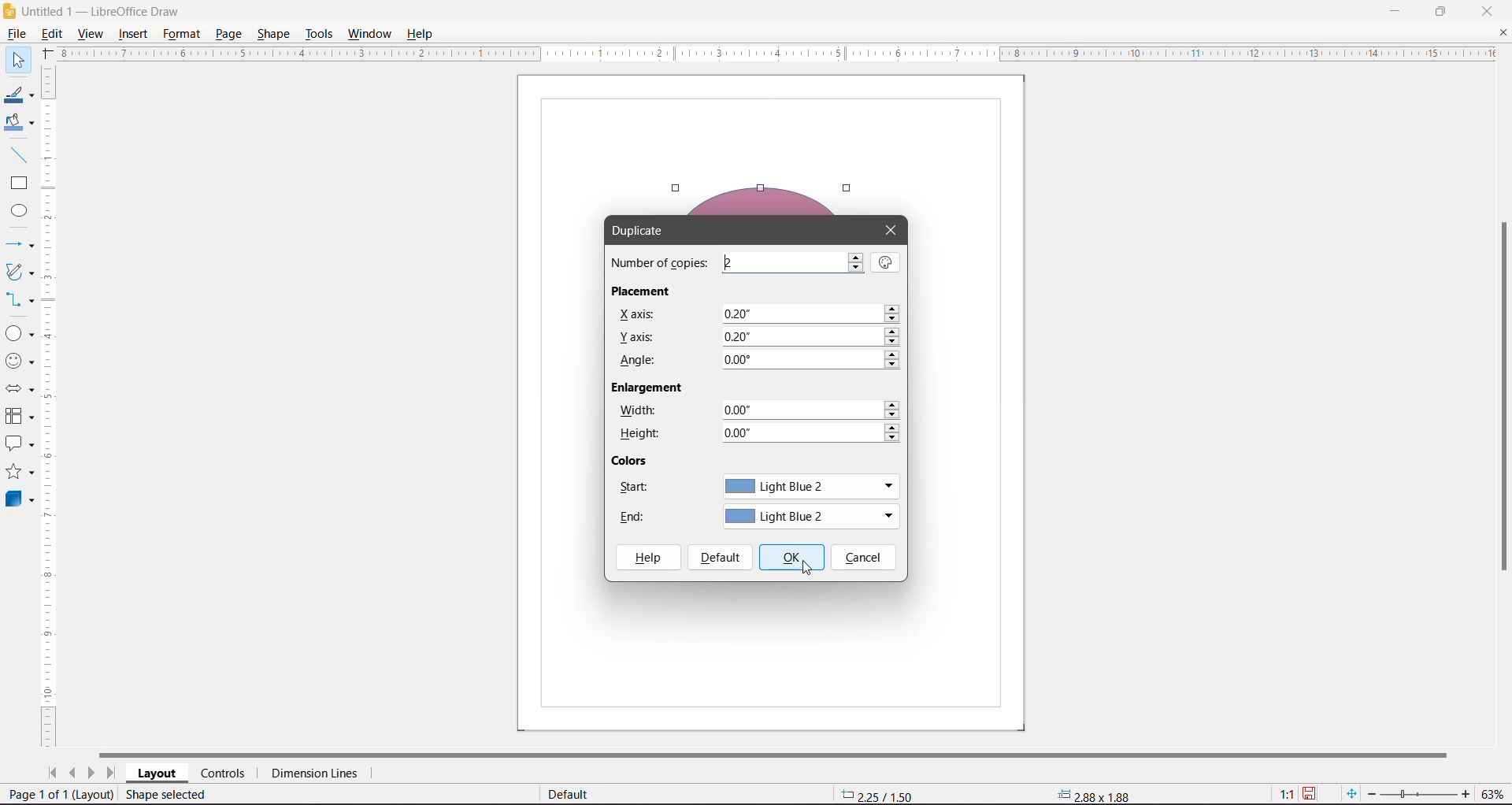  Describe the element at coordinates (318, 773) in the screenshot. I see `Dimension Lines` at that location.